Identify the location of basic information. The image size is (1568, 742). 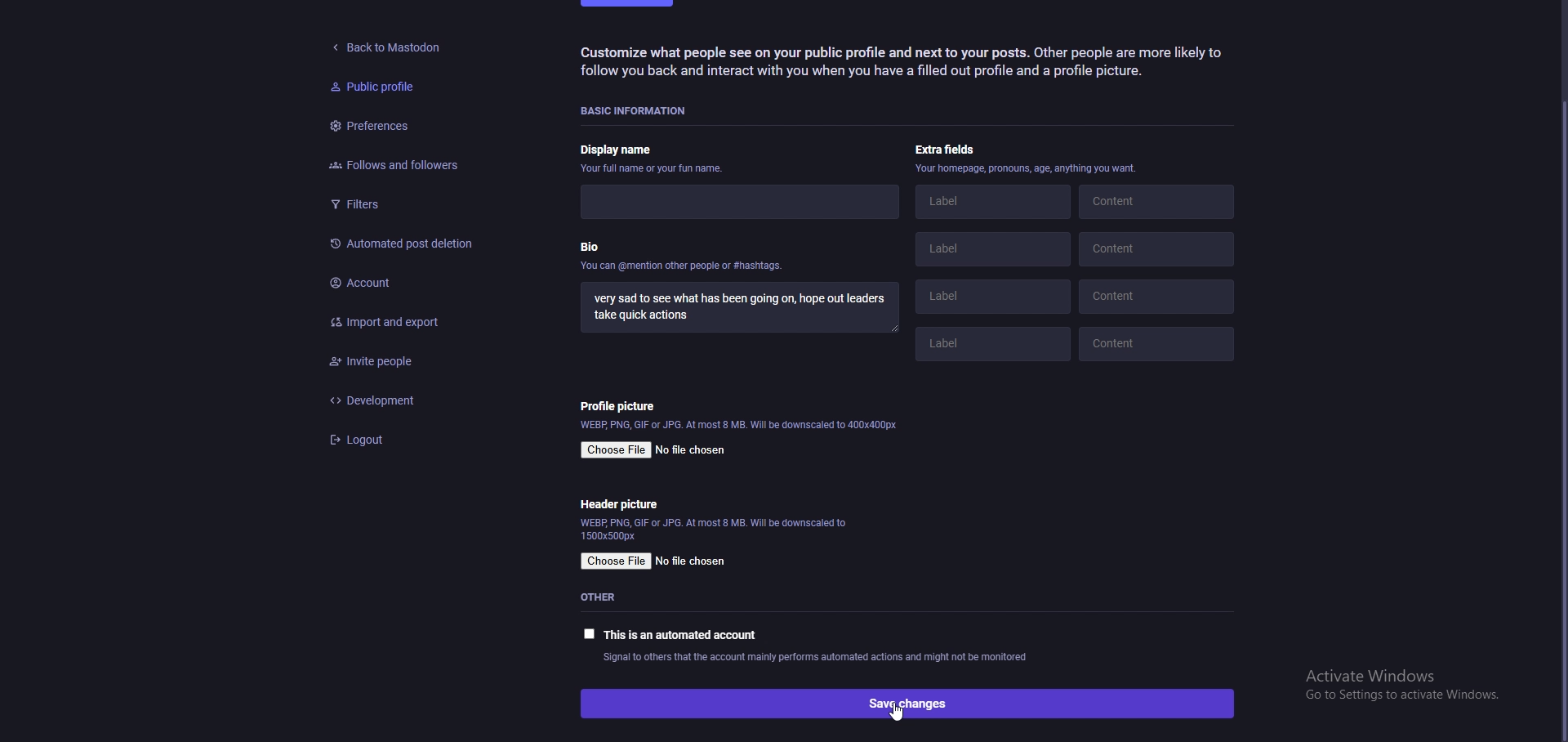
(641, 109).